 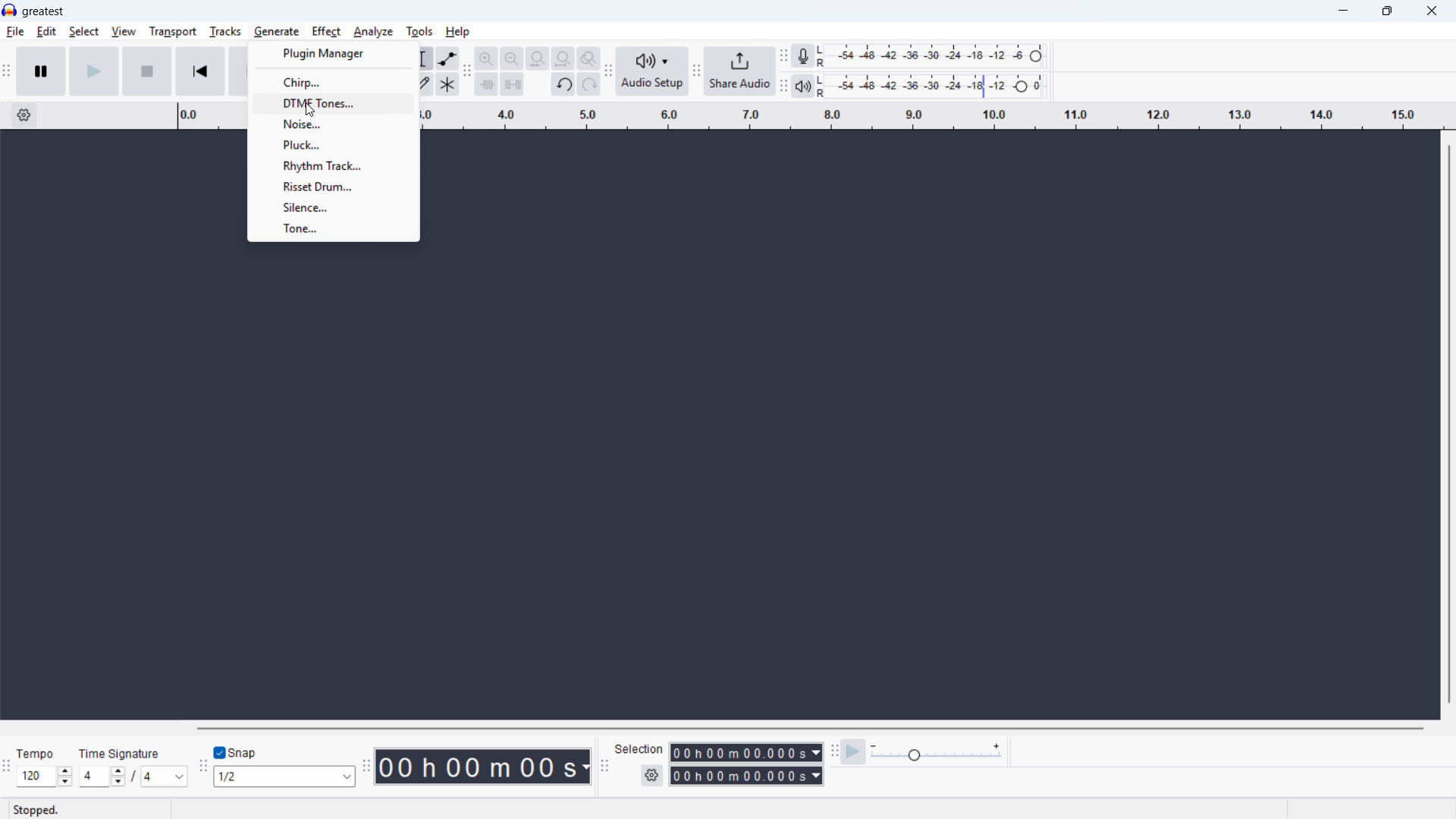 I want to click on tone , so click(x=333, y=230).